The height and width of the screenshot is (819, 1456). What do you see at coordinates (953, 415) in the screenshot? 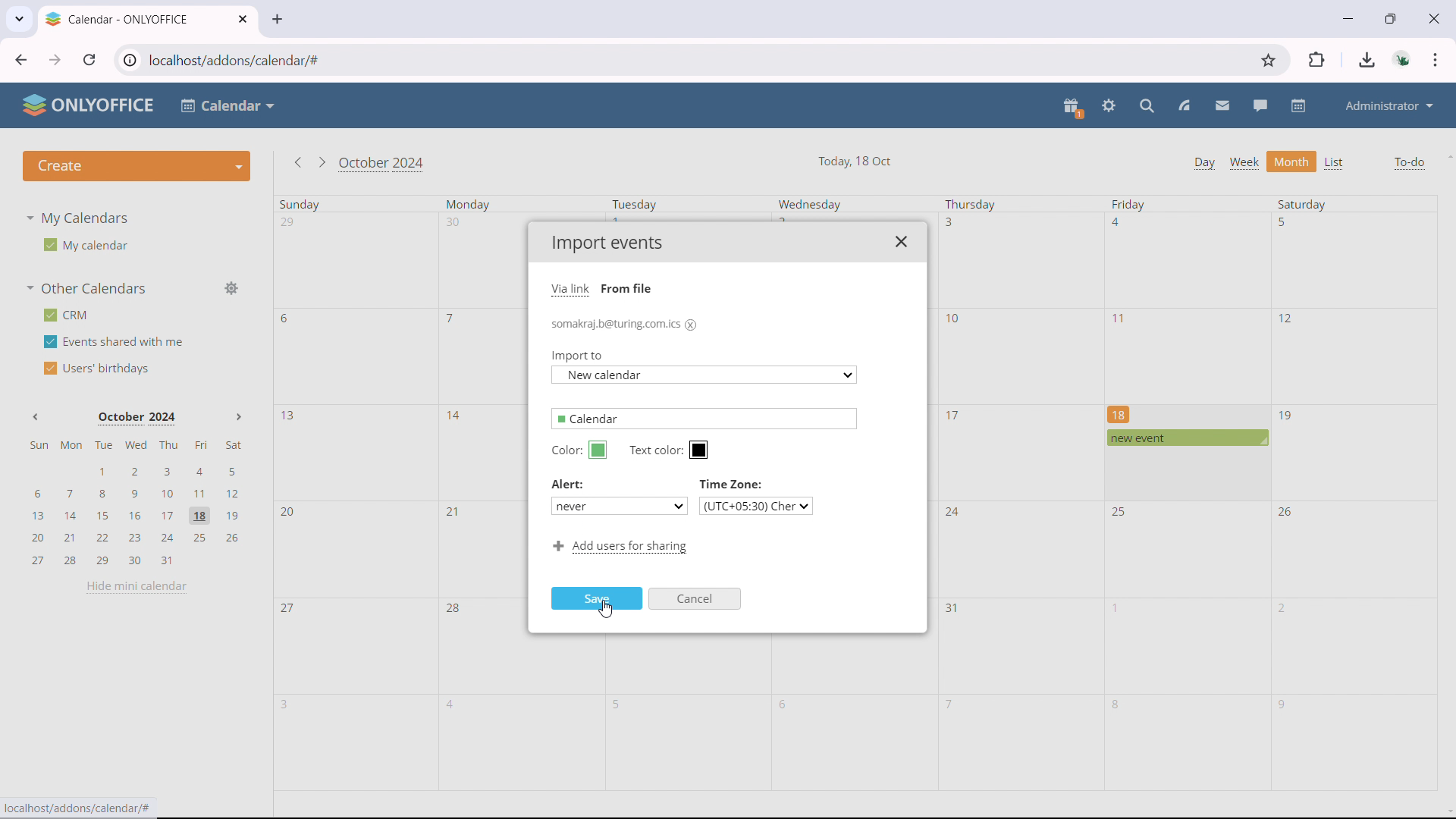
I see `17` at bounding box center [953, 415].